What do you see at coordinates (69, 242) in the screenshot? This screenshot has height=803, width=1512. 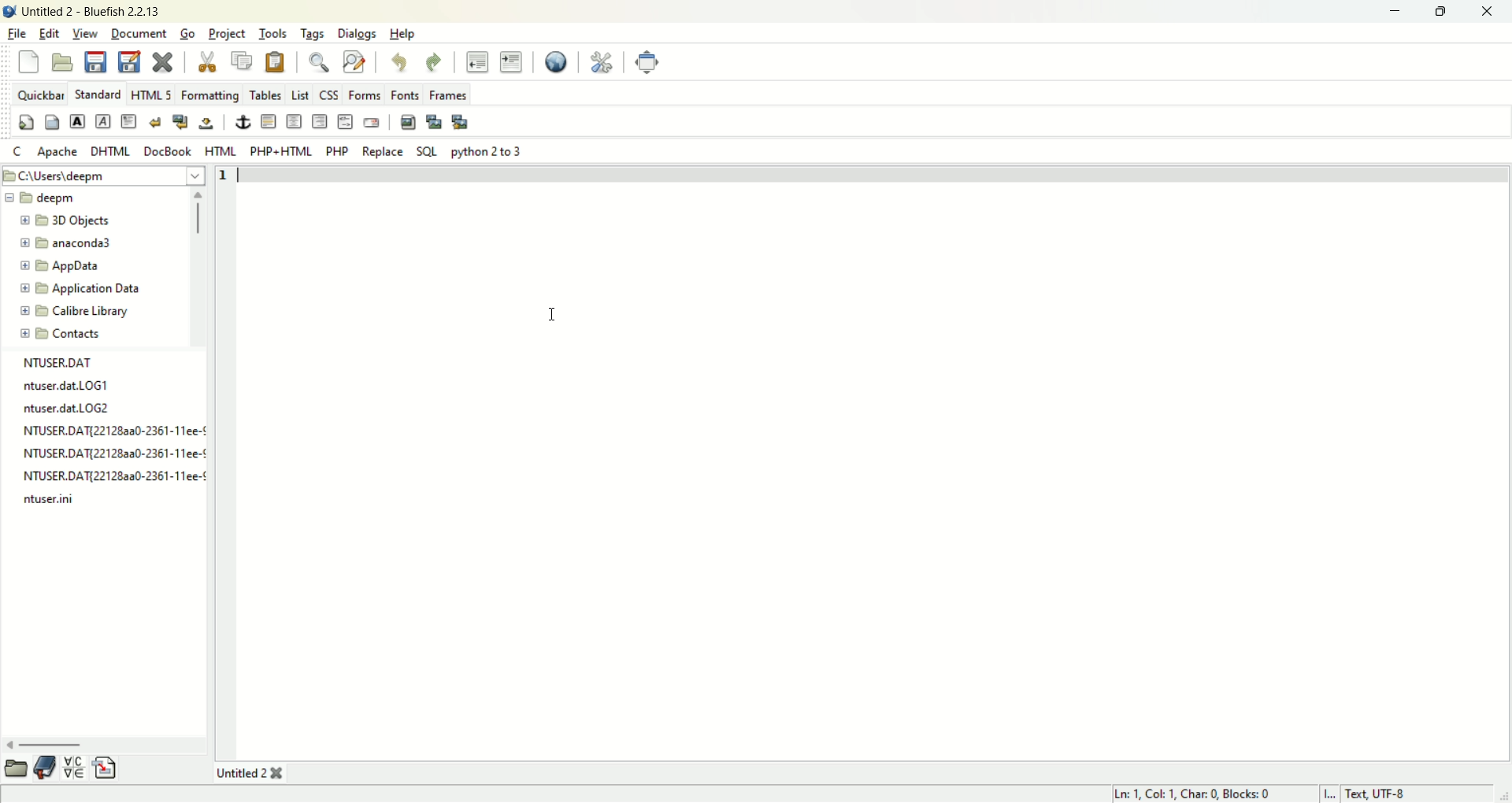 I see `anaconda` at bounding box center [69, 242].